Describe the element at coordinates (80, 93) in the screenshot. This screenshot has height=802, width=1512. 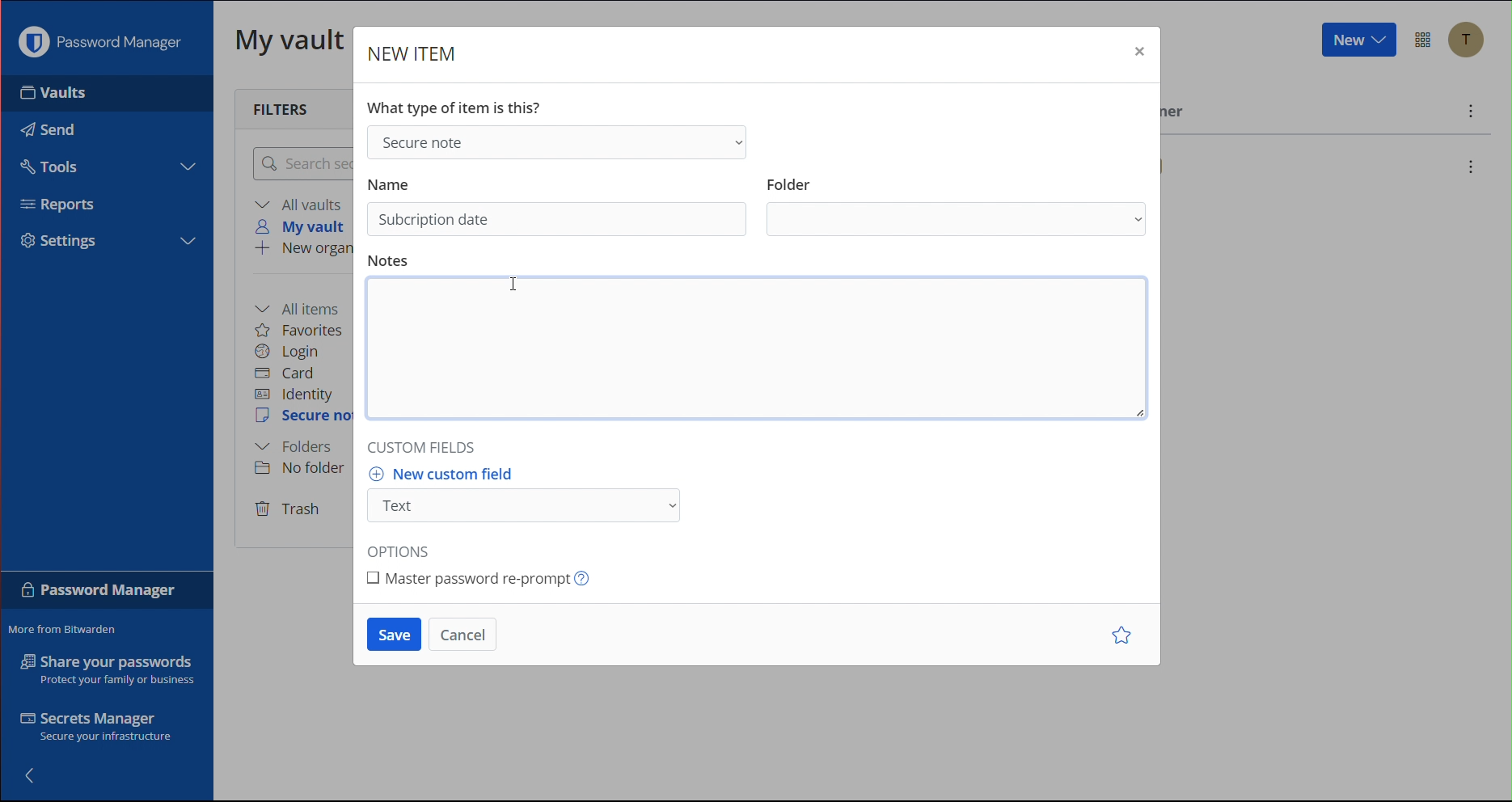
I see `Vaults` at that location.